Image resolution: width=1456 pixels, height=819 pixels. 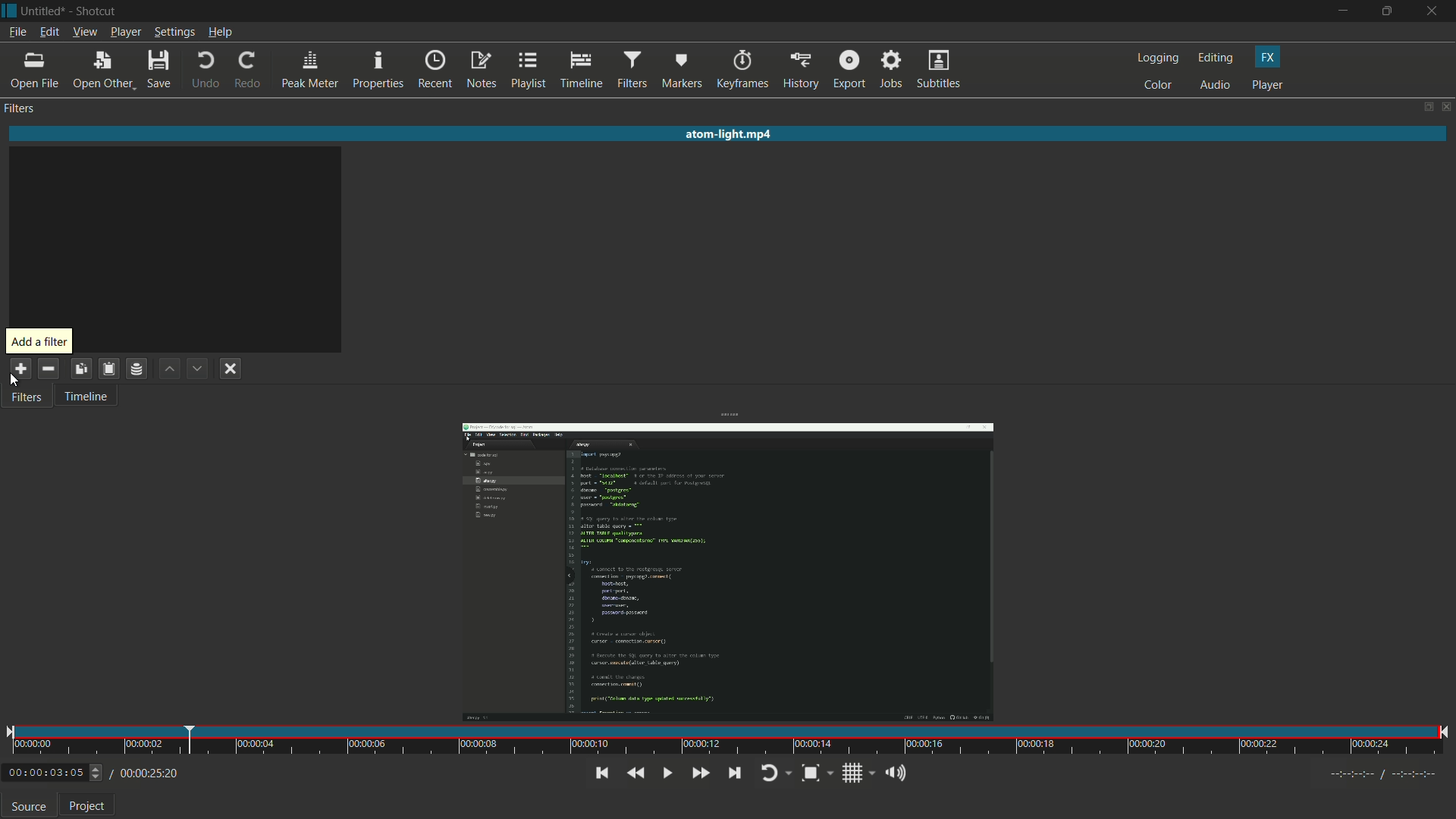 What do you see at coordinates (1435, 11) in the screenshot?
I see `close app` at bounding box center [1435, 11].